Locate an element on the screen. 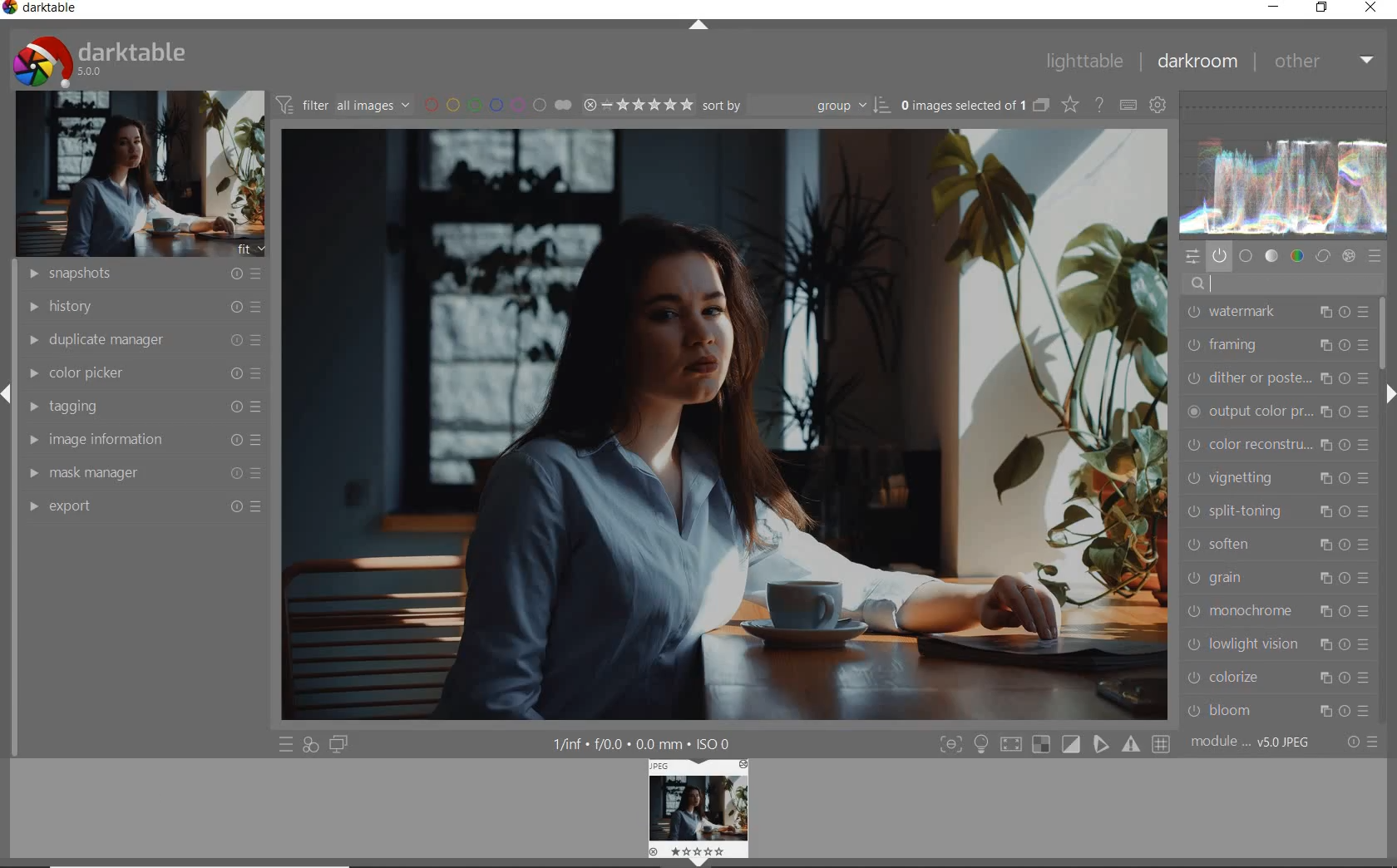 The width and height of the screenshot is (1397, 868). dither or paste is located at coordinates (1276, 377).